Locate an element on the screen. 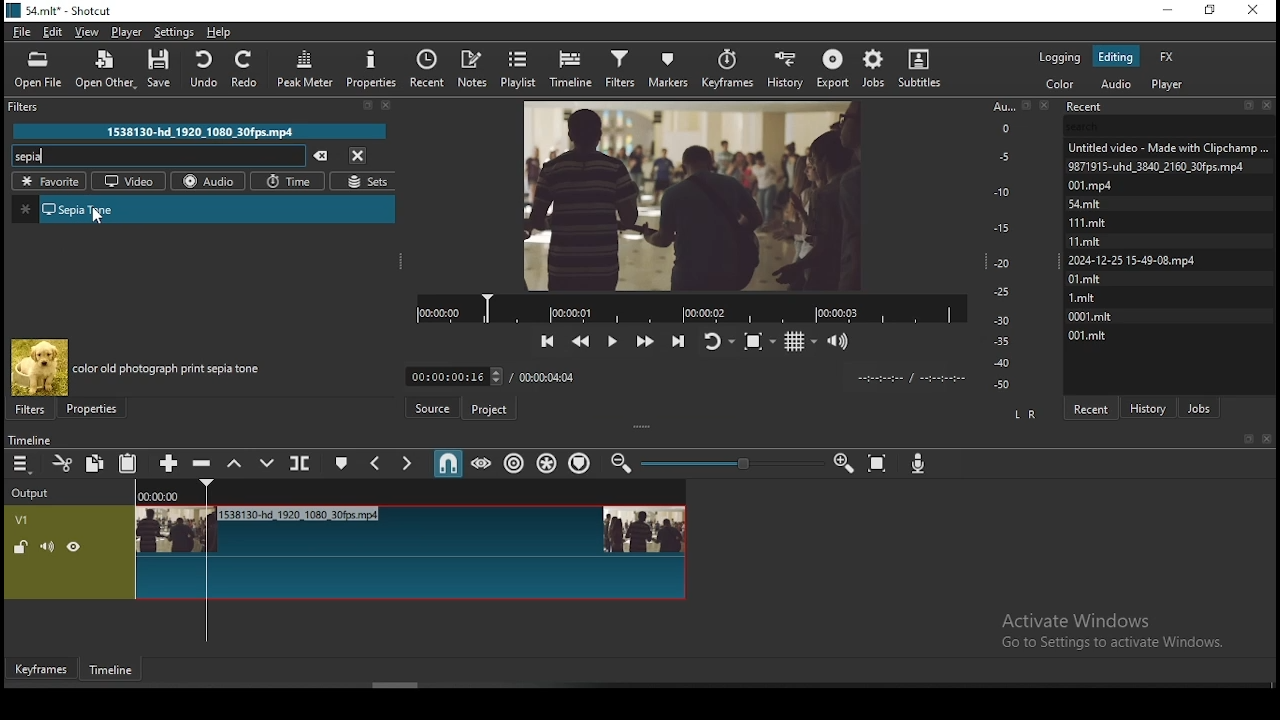 This screenshot has height=720, width=1280. sets is located at coordinates (363, 182).